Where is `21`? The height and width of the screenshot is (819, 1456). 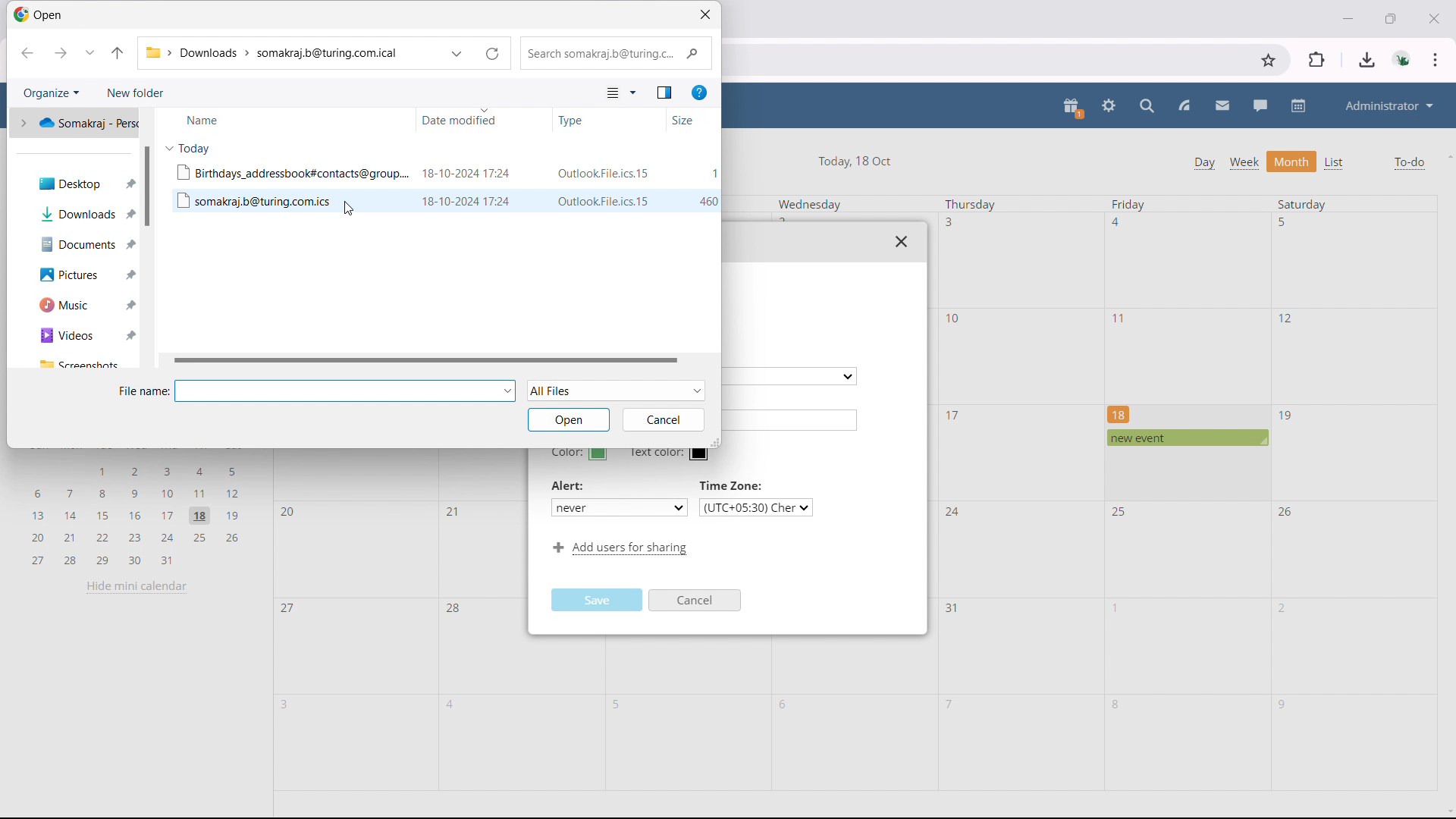
21 is located at coordinates (450, 510).